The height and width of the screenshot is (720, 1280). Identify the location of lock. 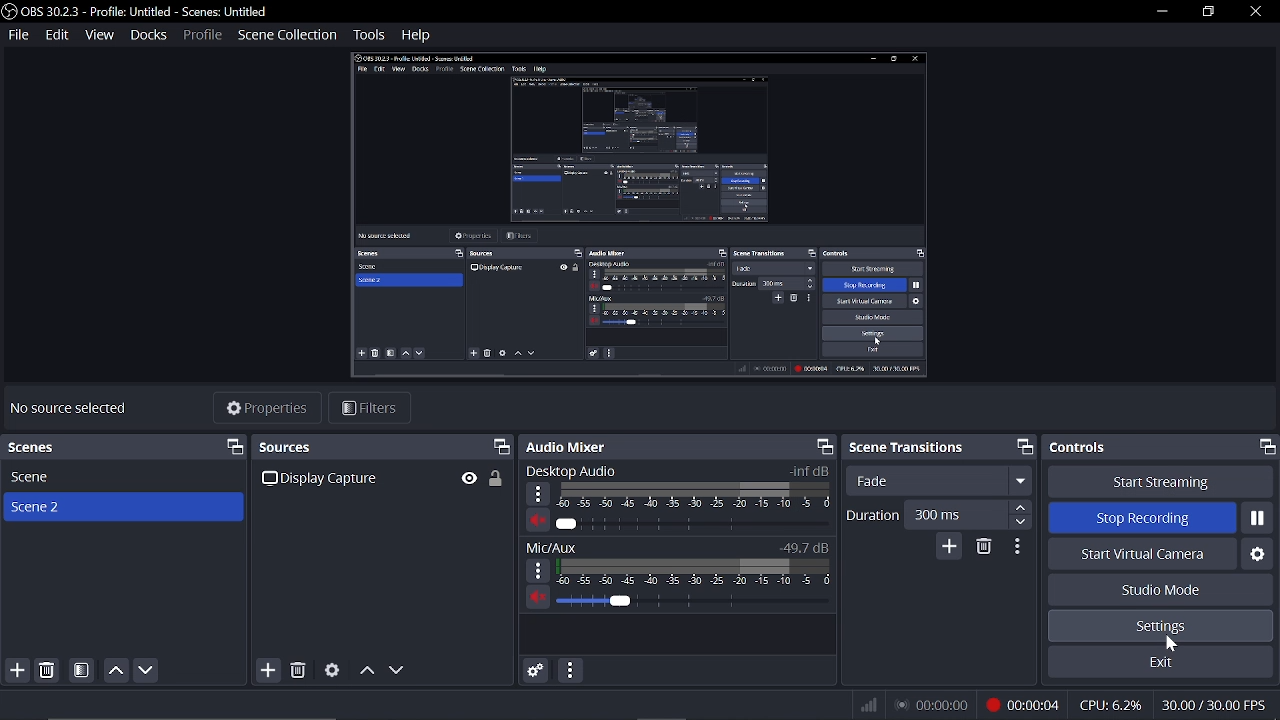
(497, 479).